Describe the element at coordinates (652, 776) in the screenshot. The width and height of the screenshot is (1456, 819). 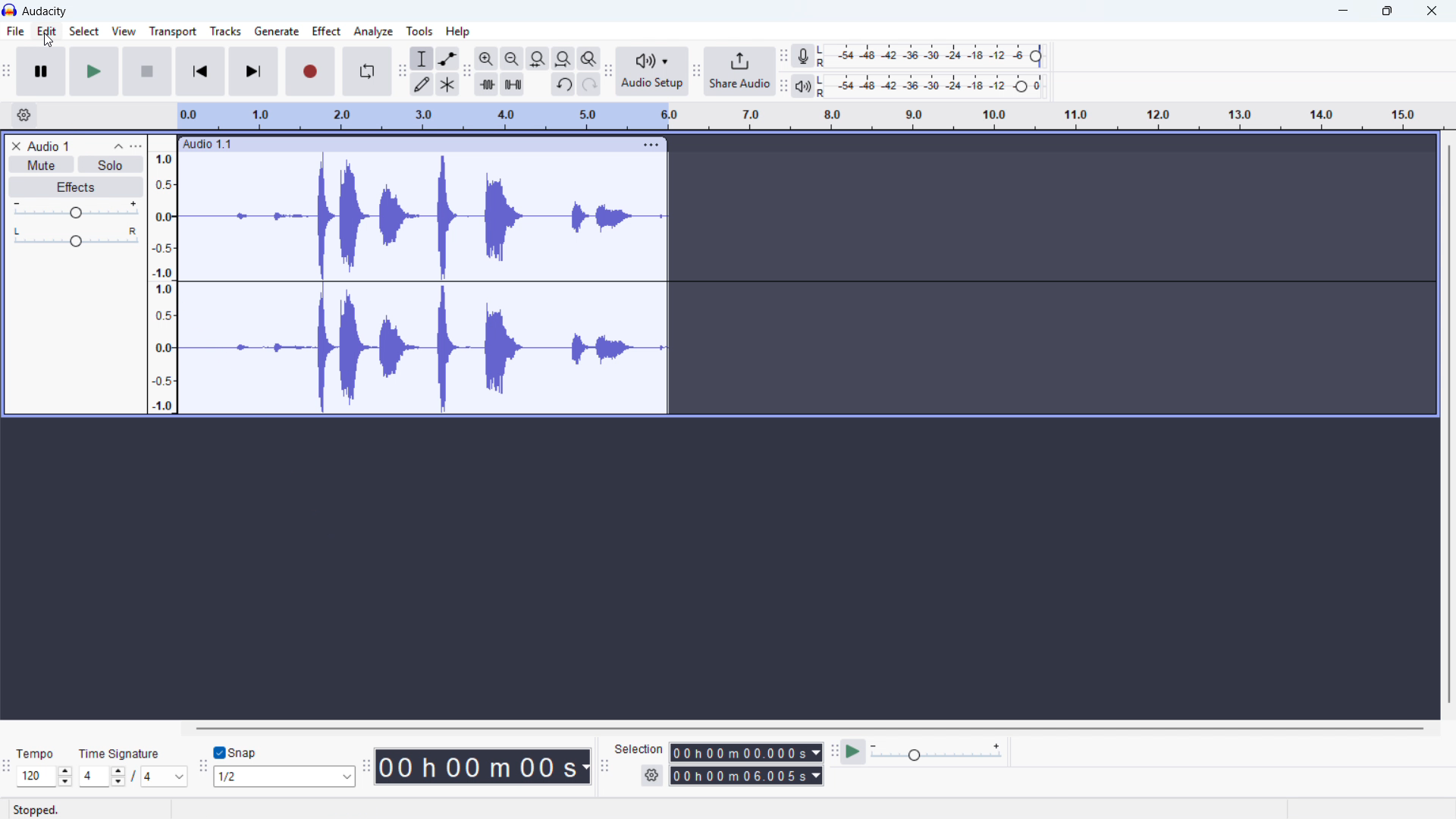
I see `selection settings` at that location.